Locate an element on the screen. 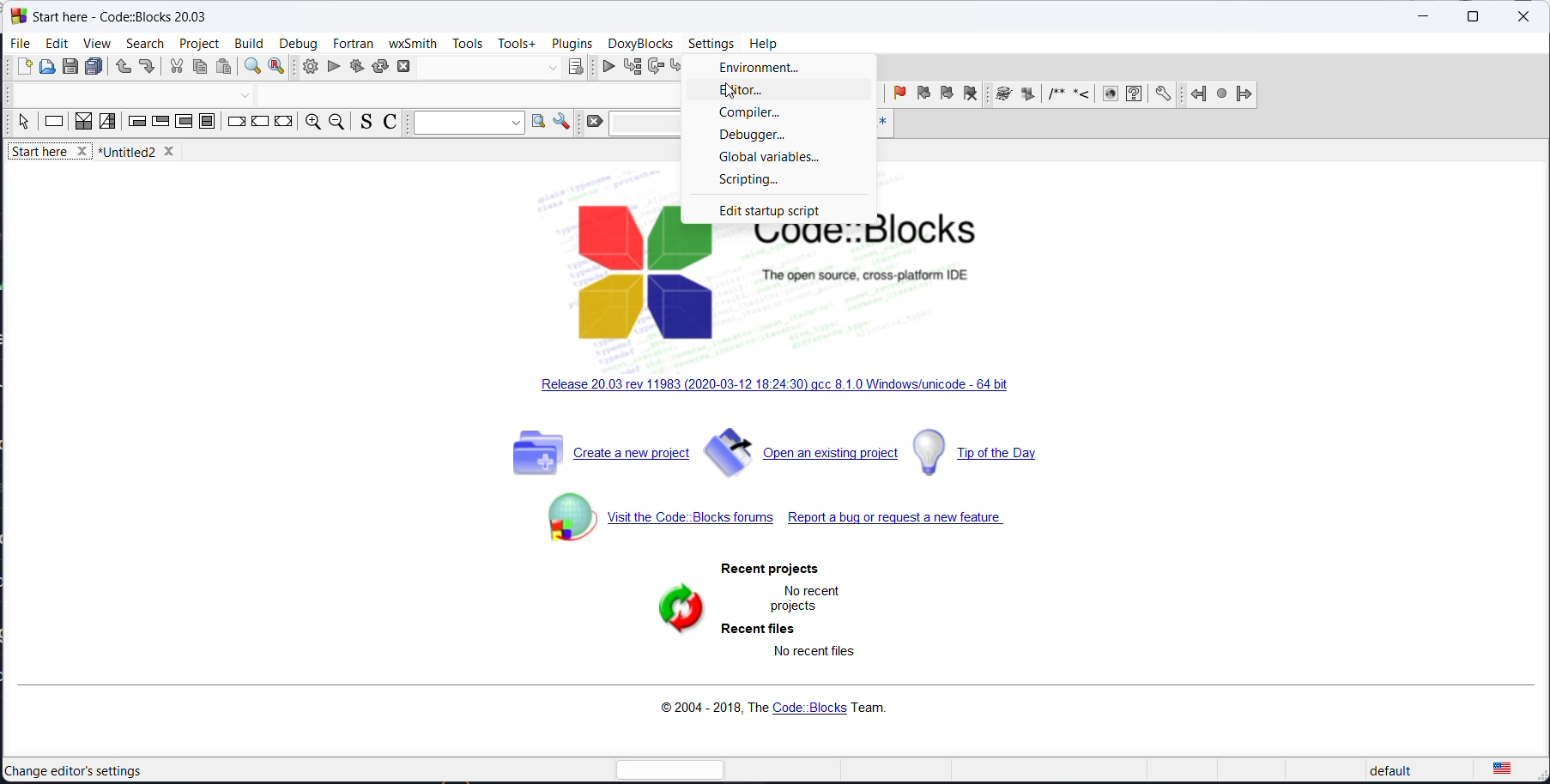  add bookmark is located at coordinates (897, 95).